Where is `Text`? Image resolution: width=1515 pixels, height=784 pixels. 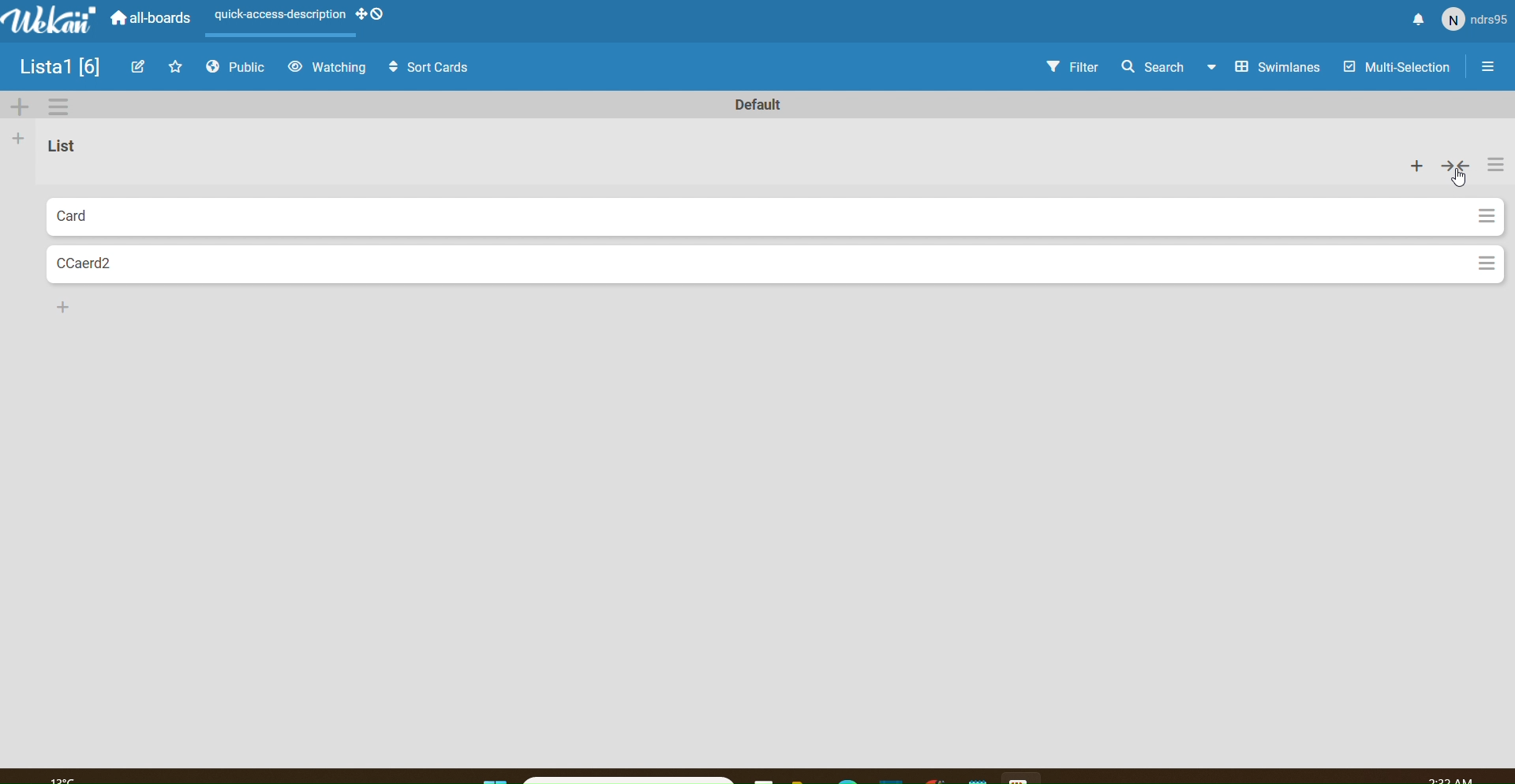
Text is located at coordinates (748, 104).